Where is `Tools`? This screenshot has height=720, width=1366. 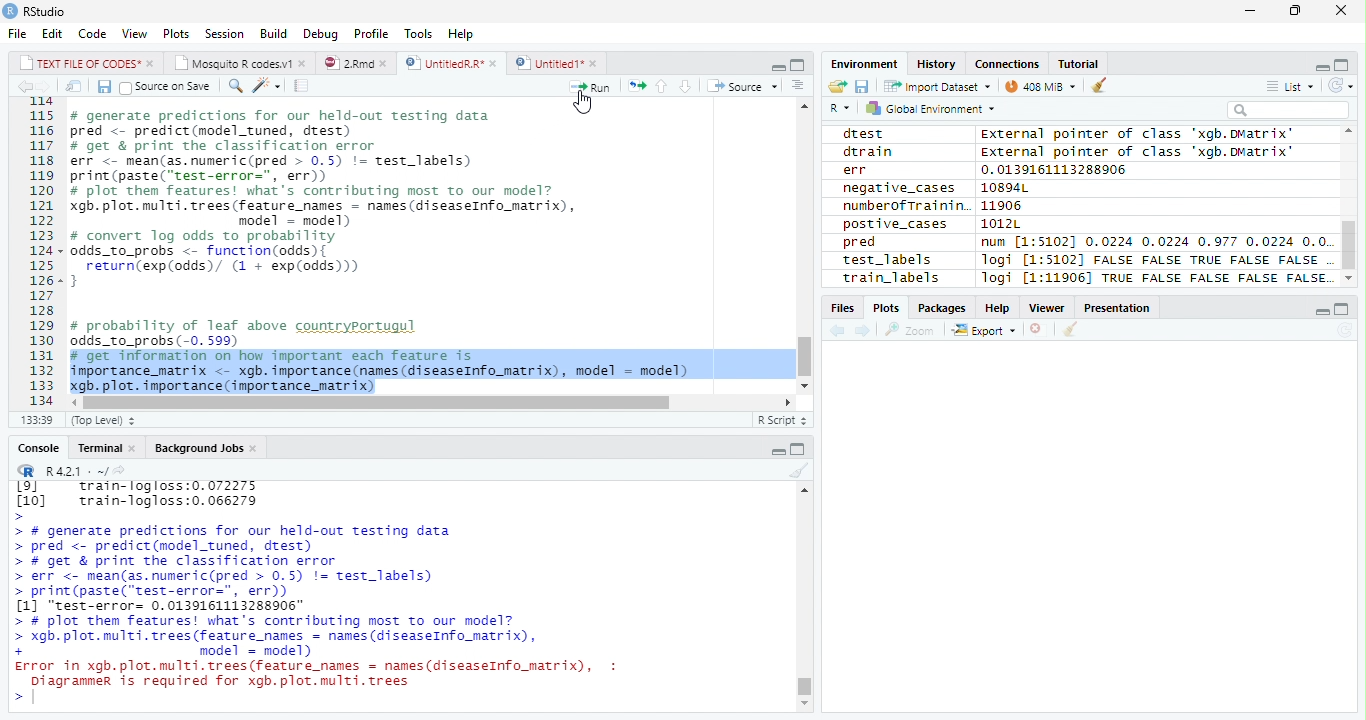
Tools is located at coordinates (418, 33).